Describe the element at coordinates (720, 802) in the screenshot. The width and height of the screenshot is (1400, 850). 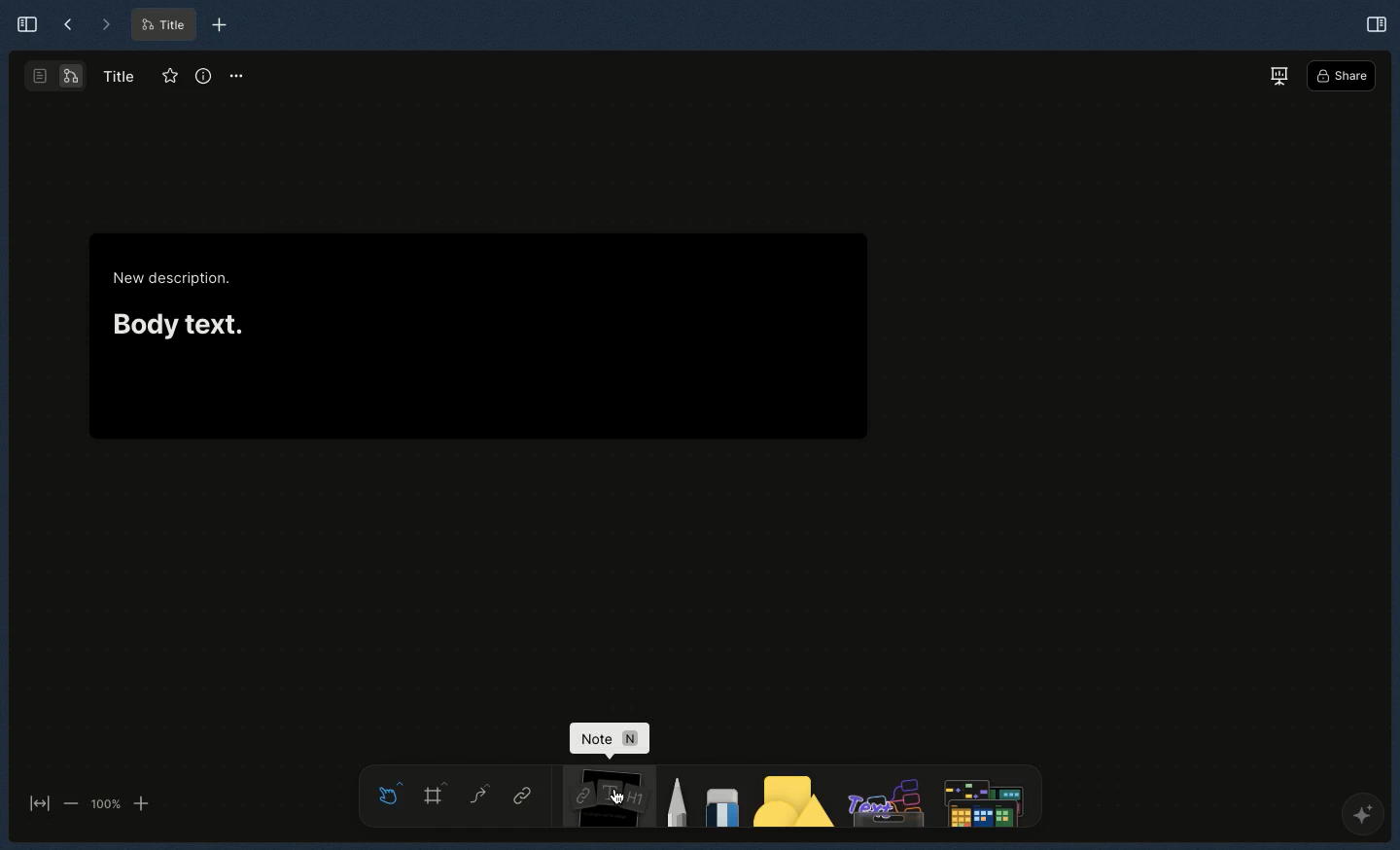
I see `Eraser` at that location.